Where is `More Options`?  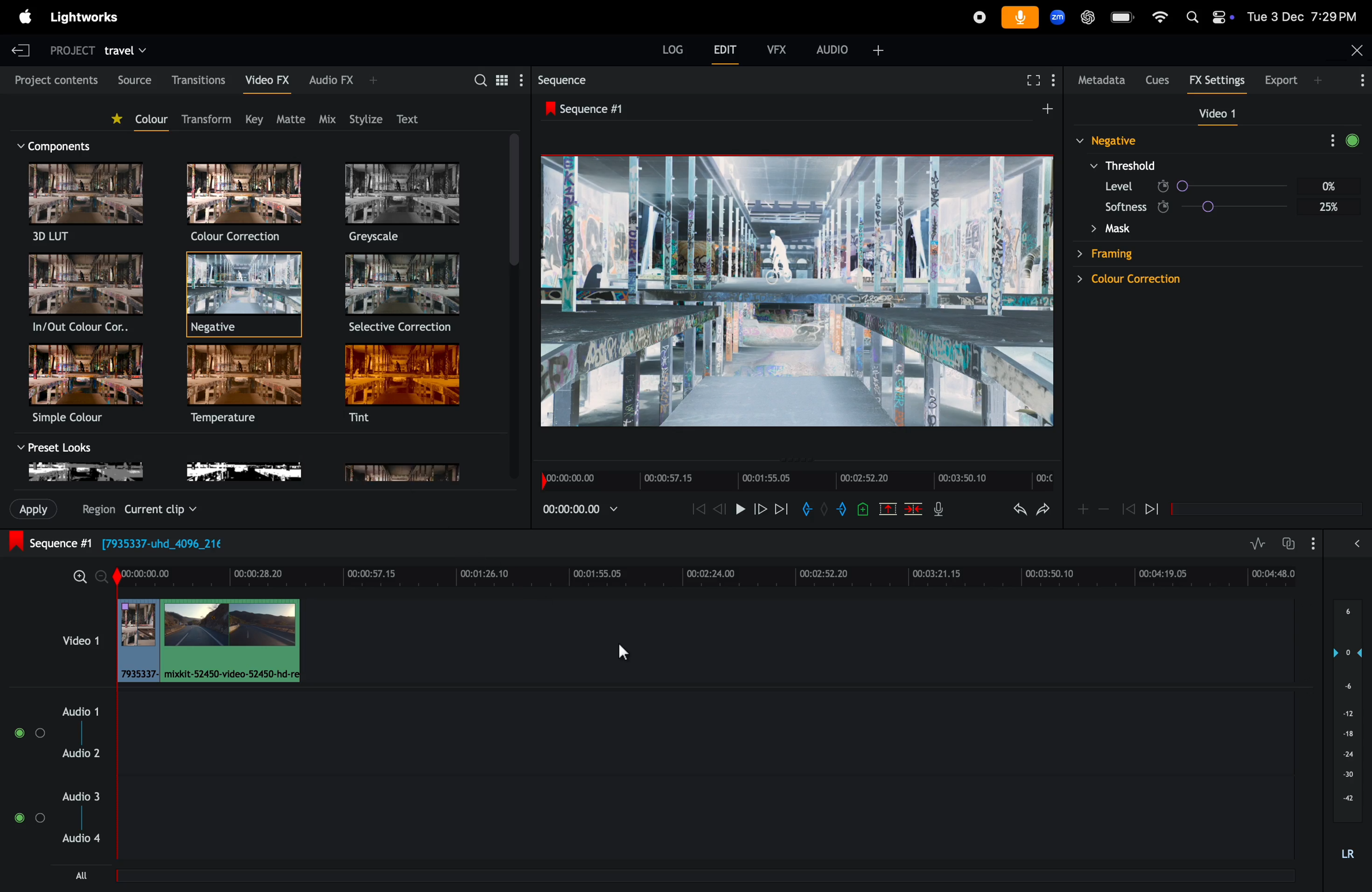
More Options is located at coordinates (1346, 141).